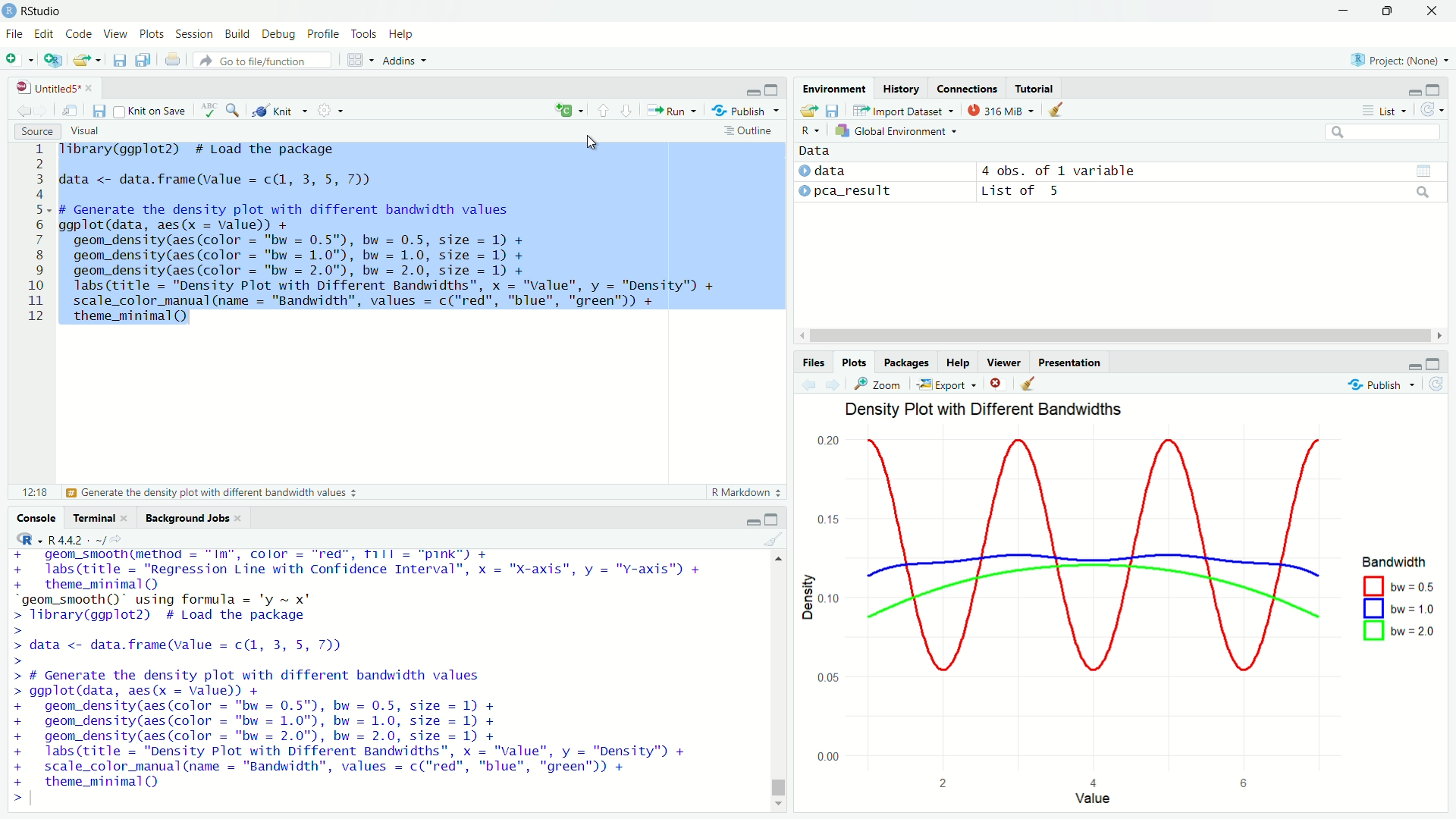  What do you see at coordinates (987, 410) in the screenshot?
I see `Density Plot with Different Bandwidths` at bounding box center [987, 410].